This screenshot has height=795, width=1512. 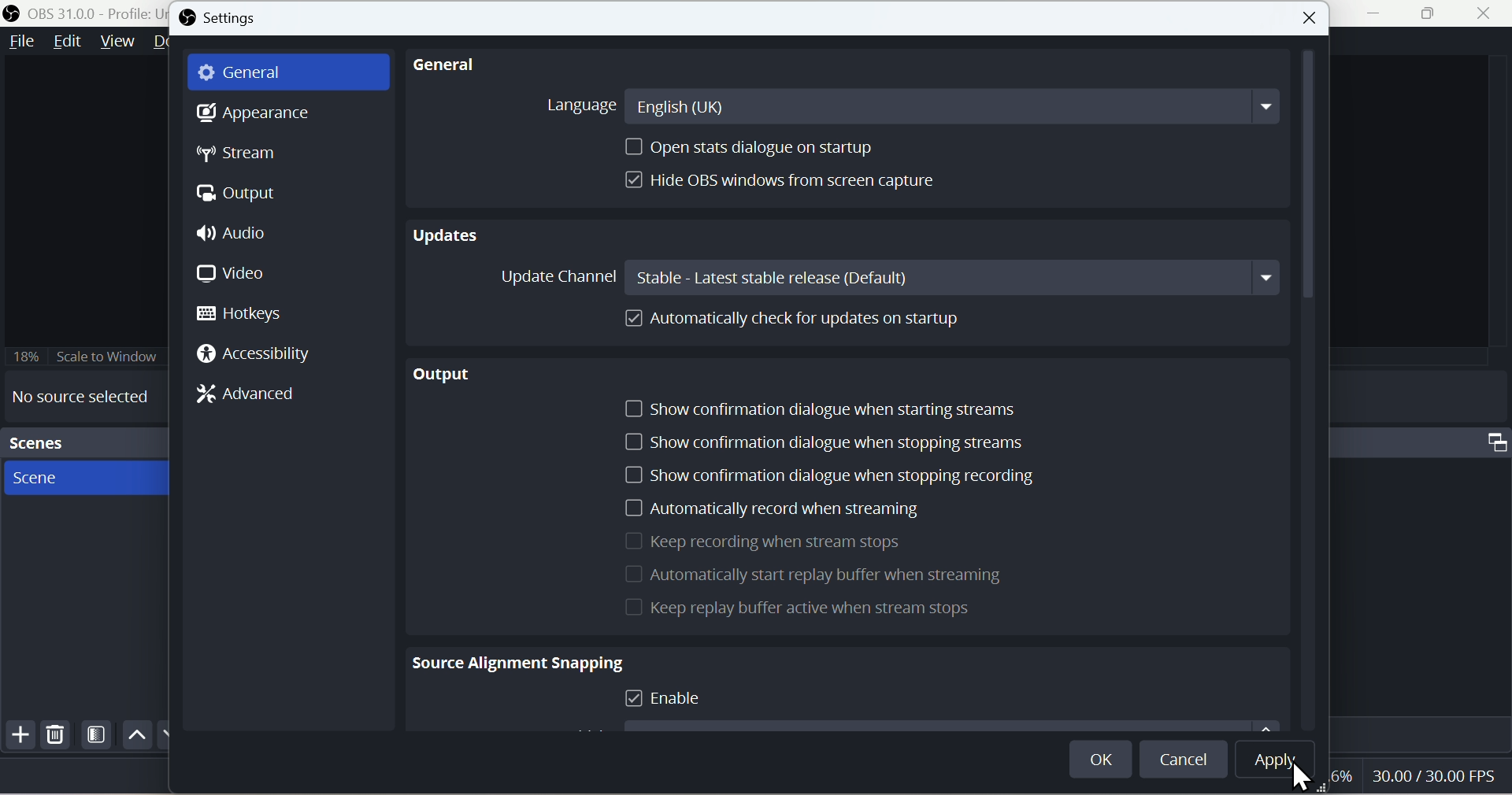 I want to click on General, so click(x=445, y=65).